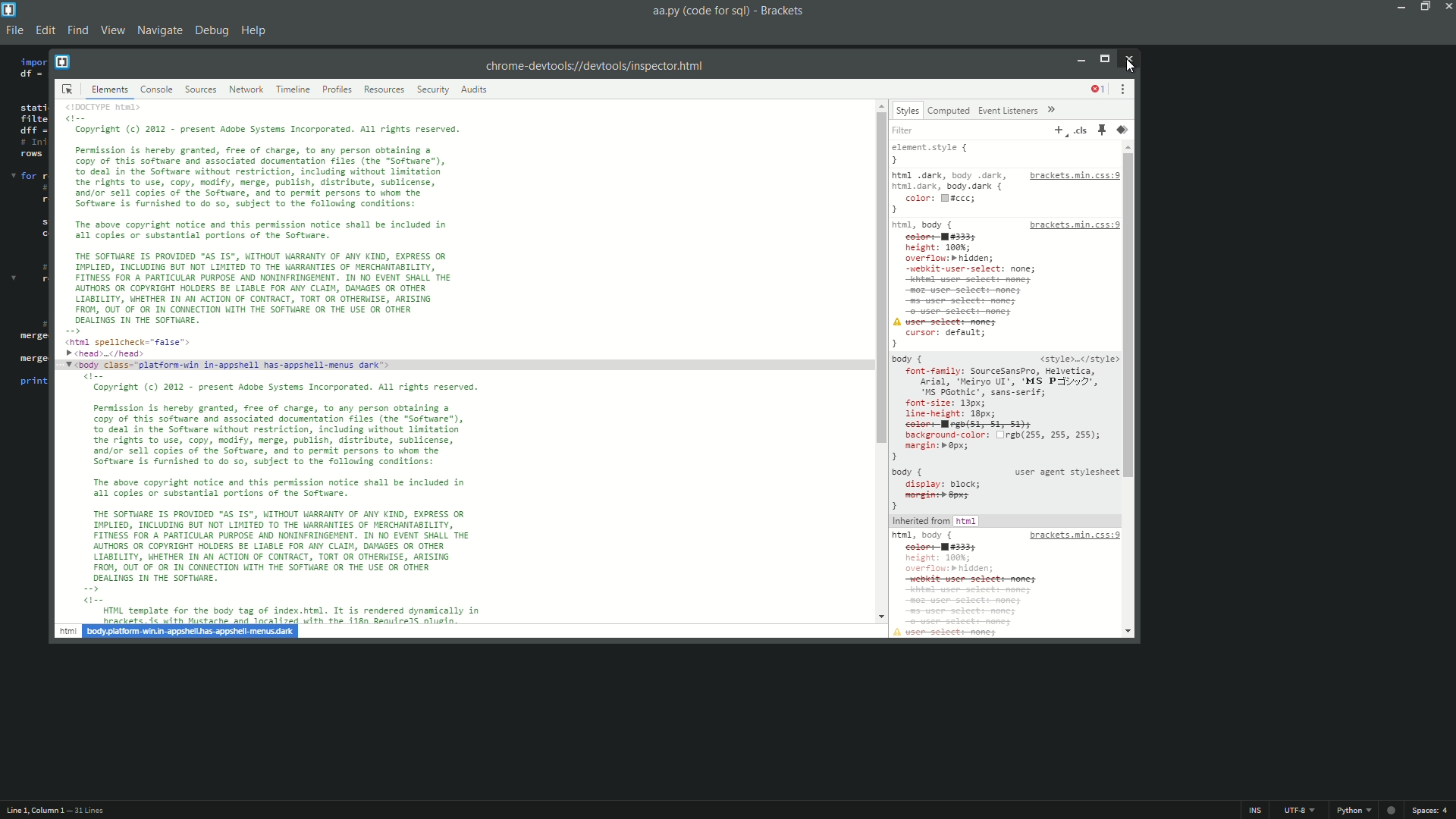 Image resolution: width=1456 pixels, height=819 pixels. Describe the element at coordinates (949, 111) in the screenshot. I see `computed` at that location.